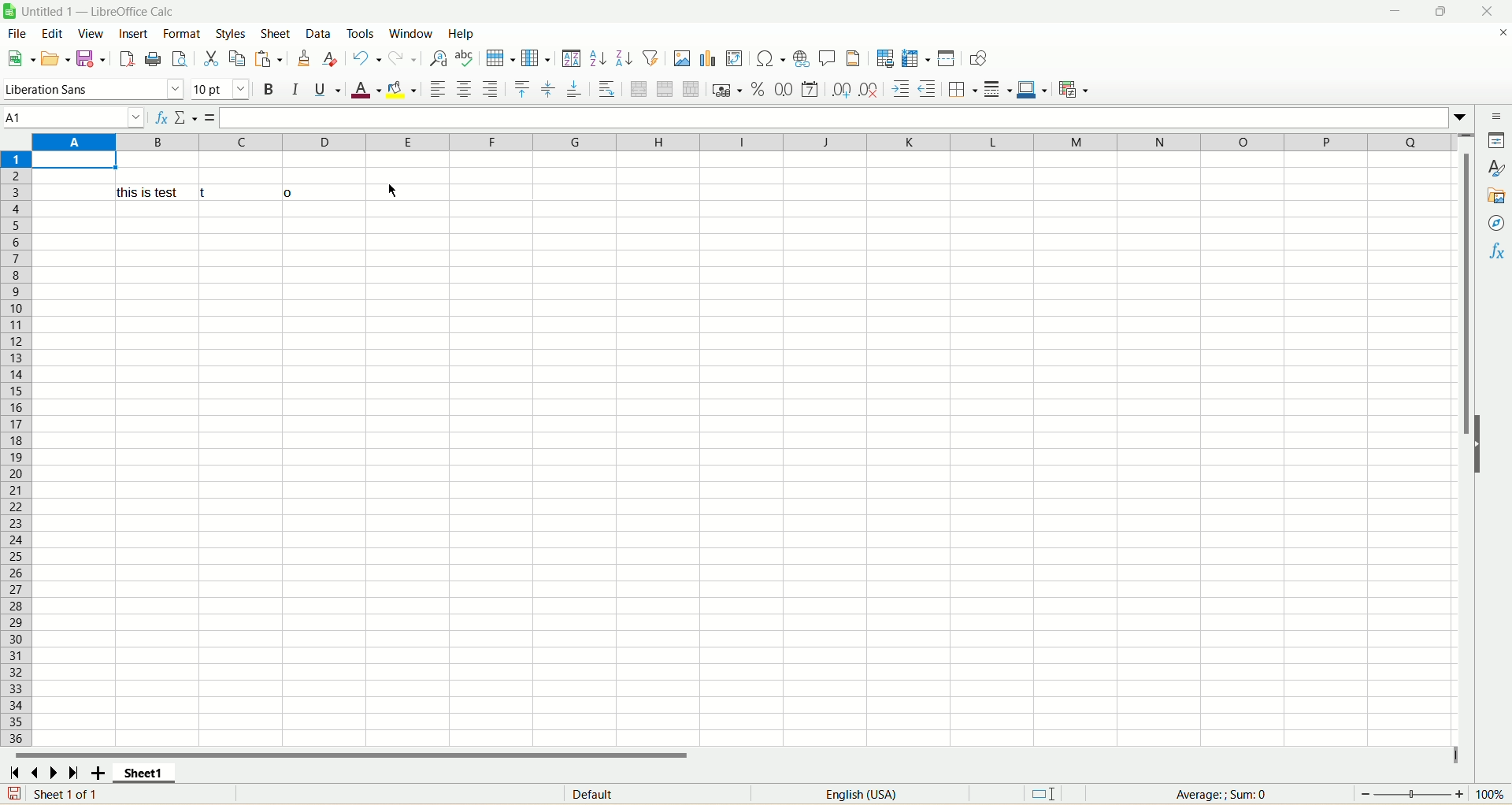  I want to click on format as percent, so click(759, 91).